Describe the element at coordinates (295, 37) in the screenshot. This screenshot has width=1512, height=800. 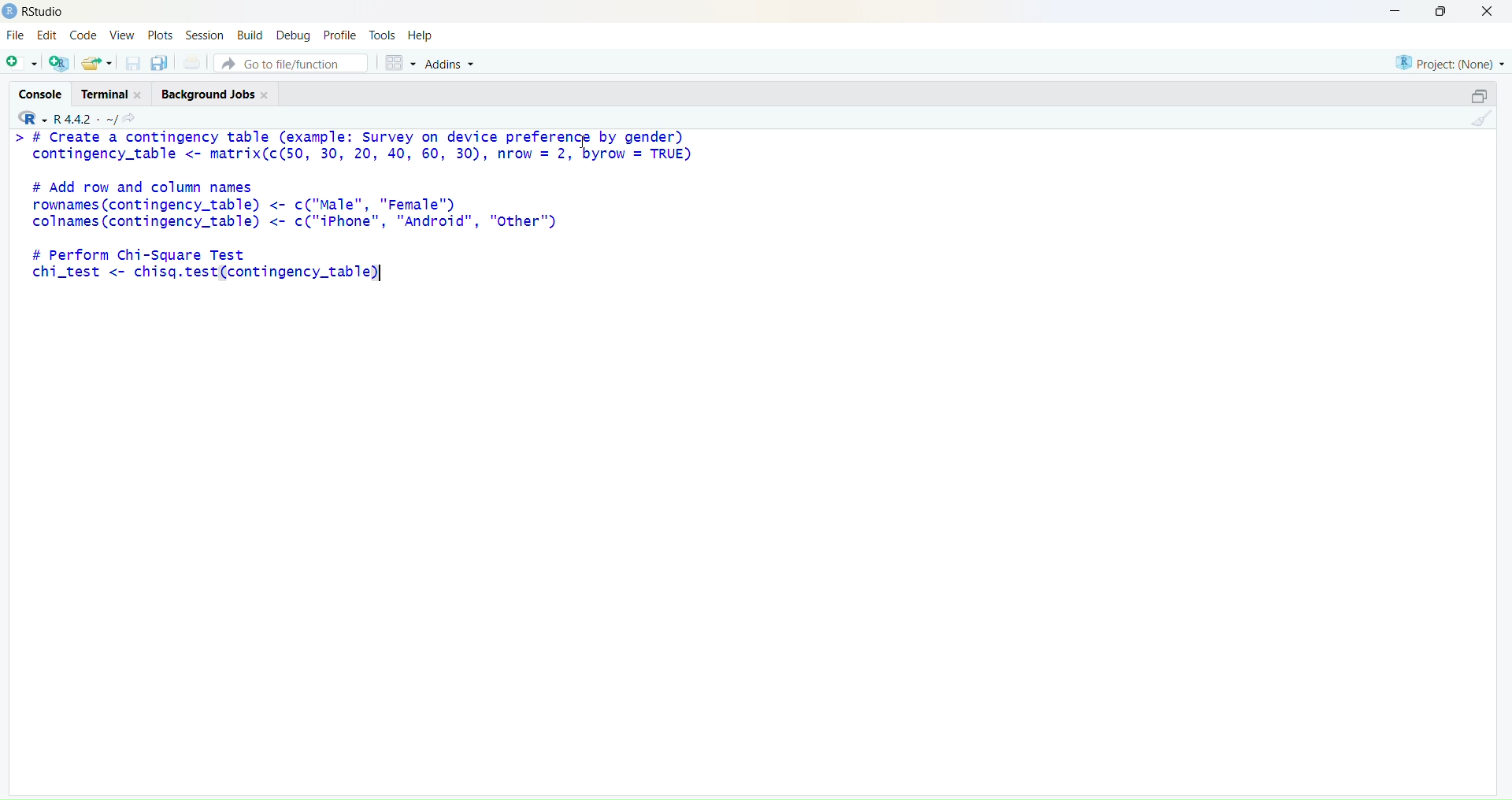
I see `Debug` at that location.